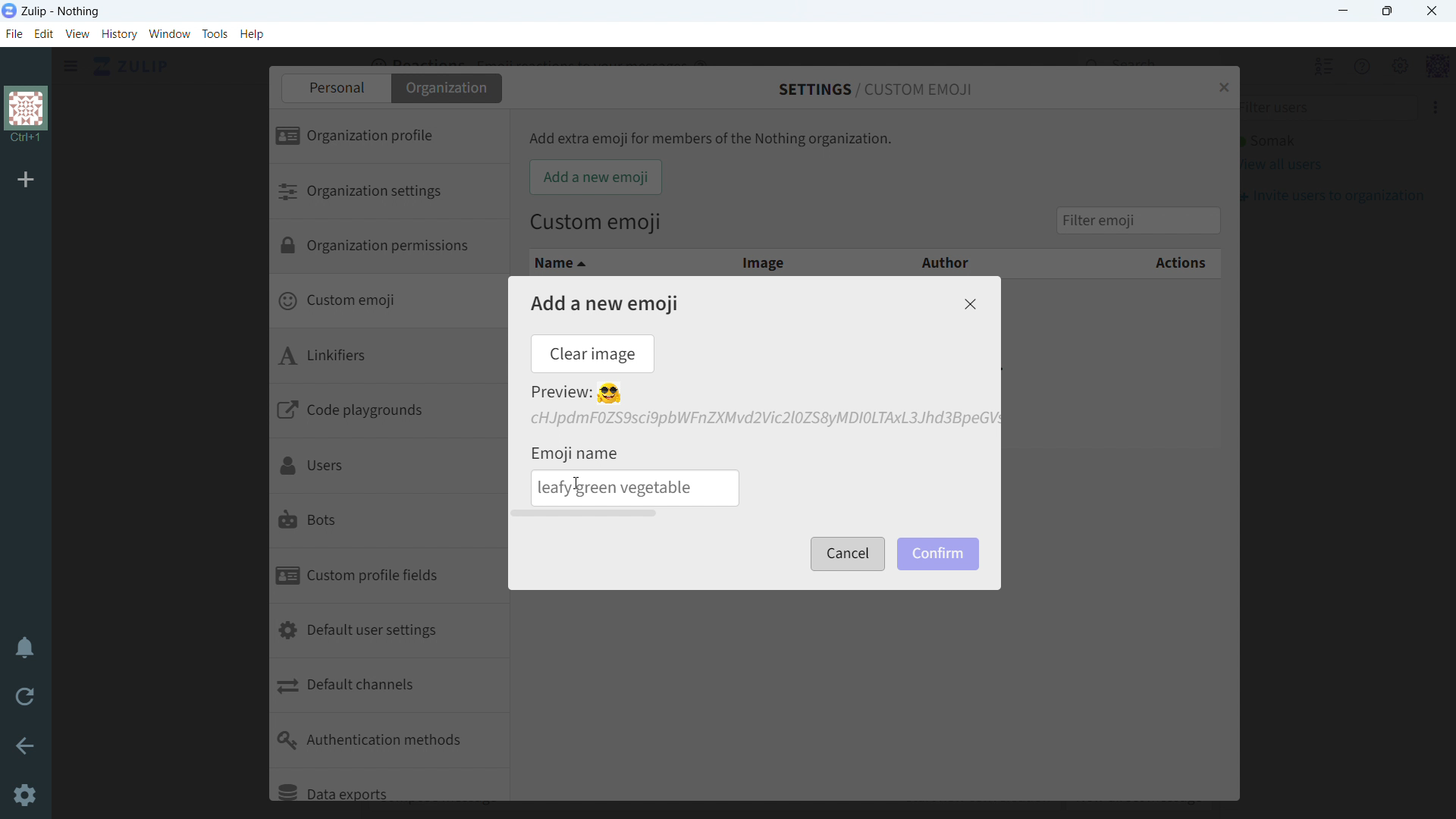 Image resolution: width=1456 pixels, height=819 pixels. Describe the element at coordinates (13, 34) in the screenshot. I see `file` at that location.